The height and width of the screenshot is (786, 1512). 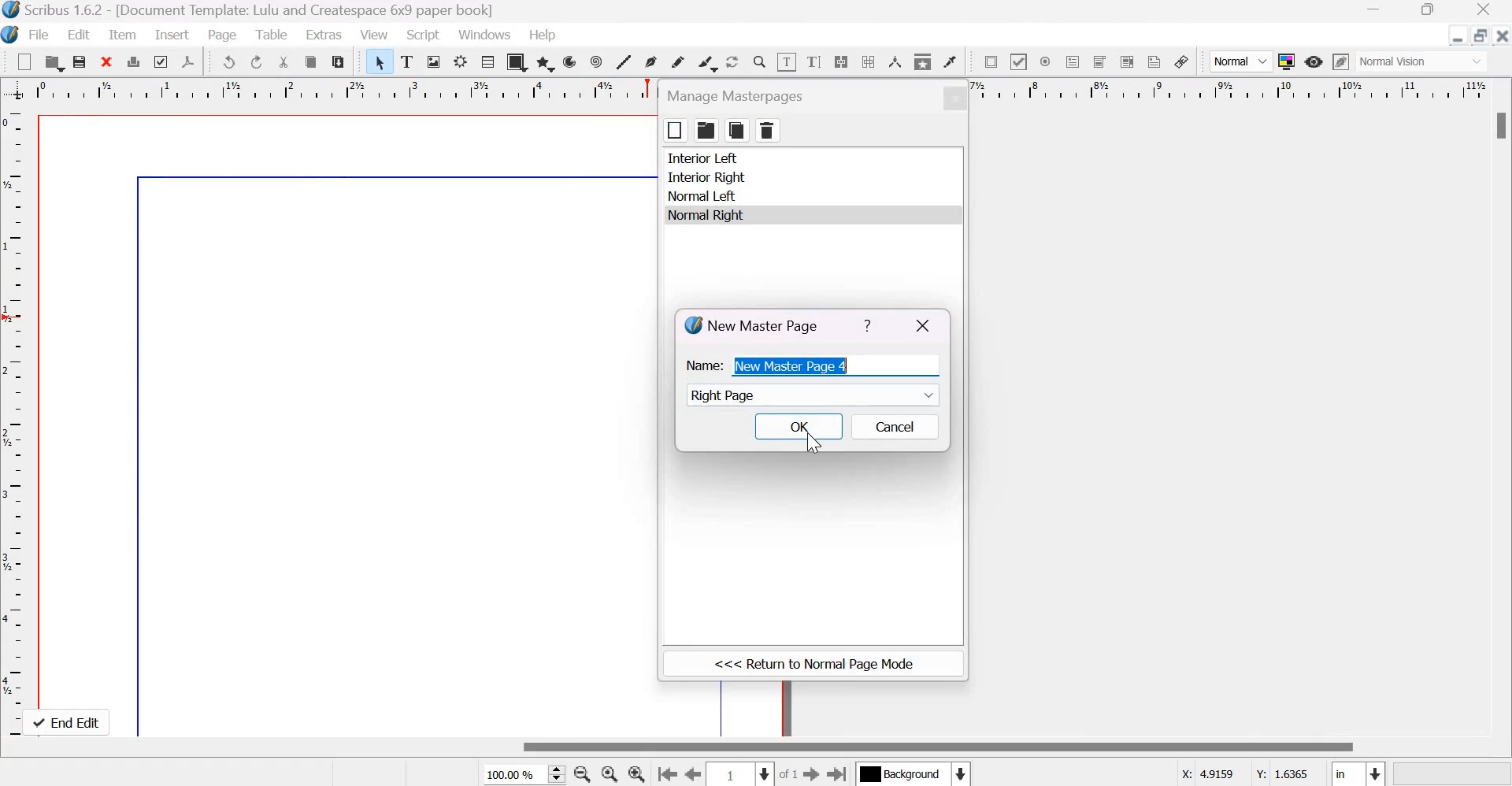 What do you see at coordinates (815, 443) in the screenshot?
I see `cursor` at bounding box center [815, 443].